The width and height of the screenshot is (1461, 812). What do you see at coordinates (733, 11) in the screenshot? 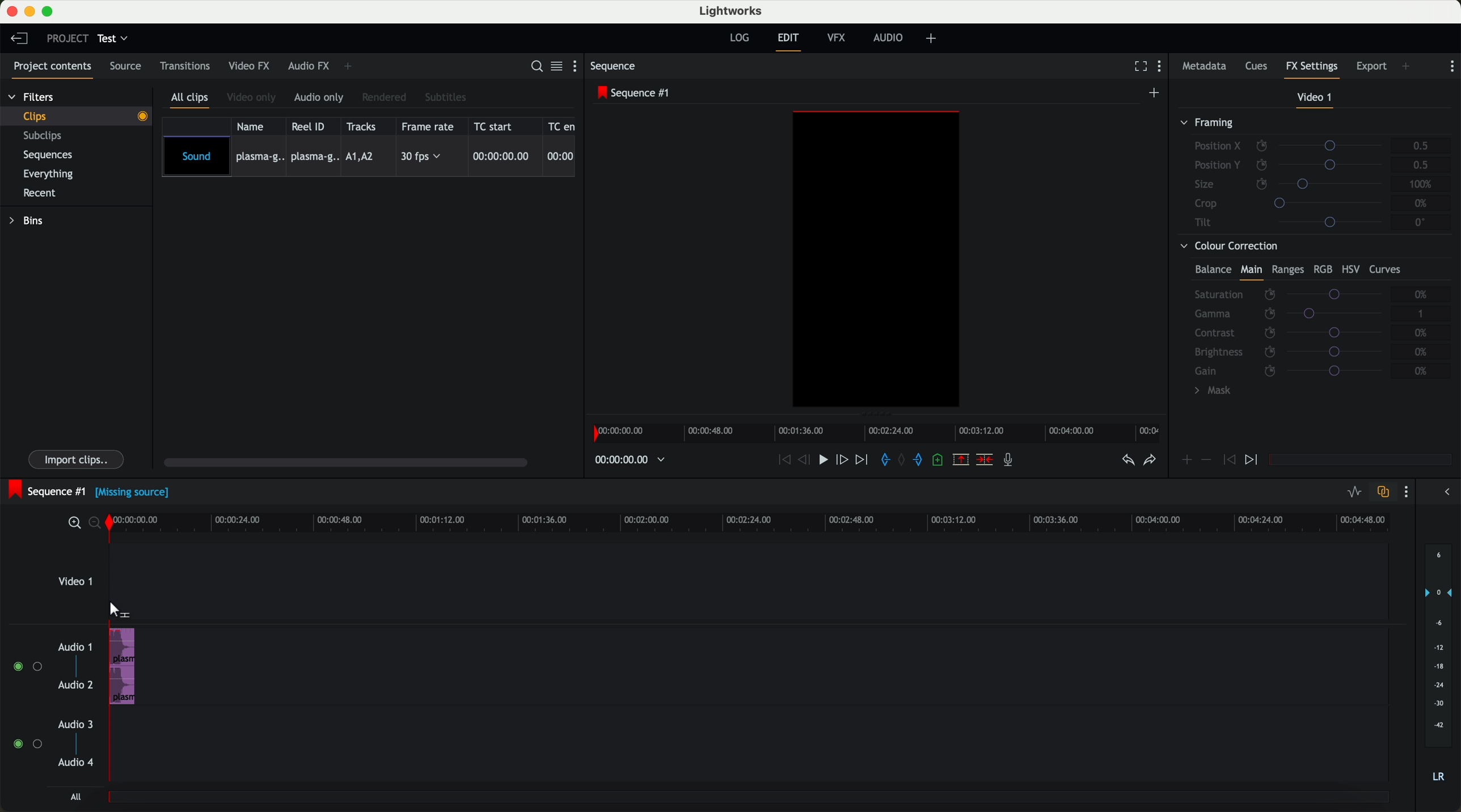
I see `lightworks` at bounding box center [733, 11].